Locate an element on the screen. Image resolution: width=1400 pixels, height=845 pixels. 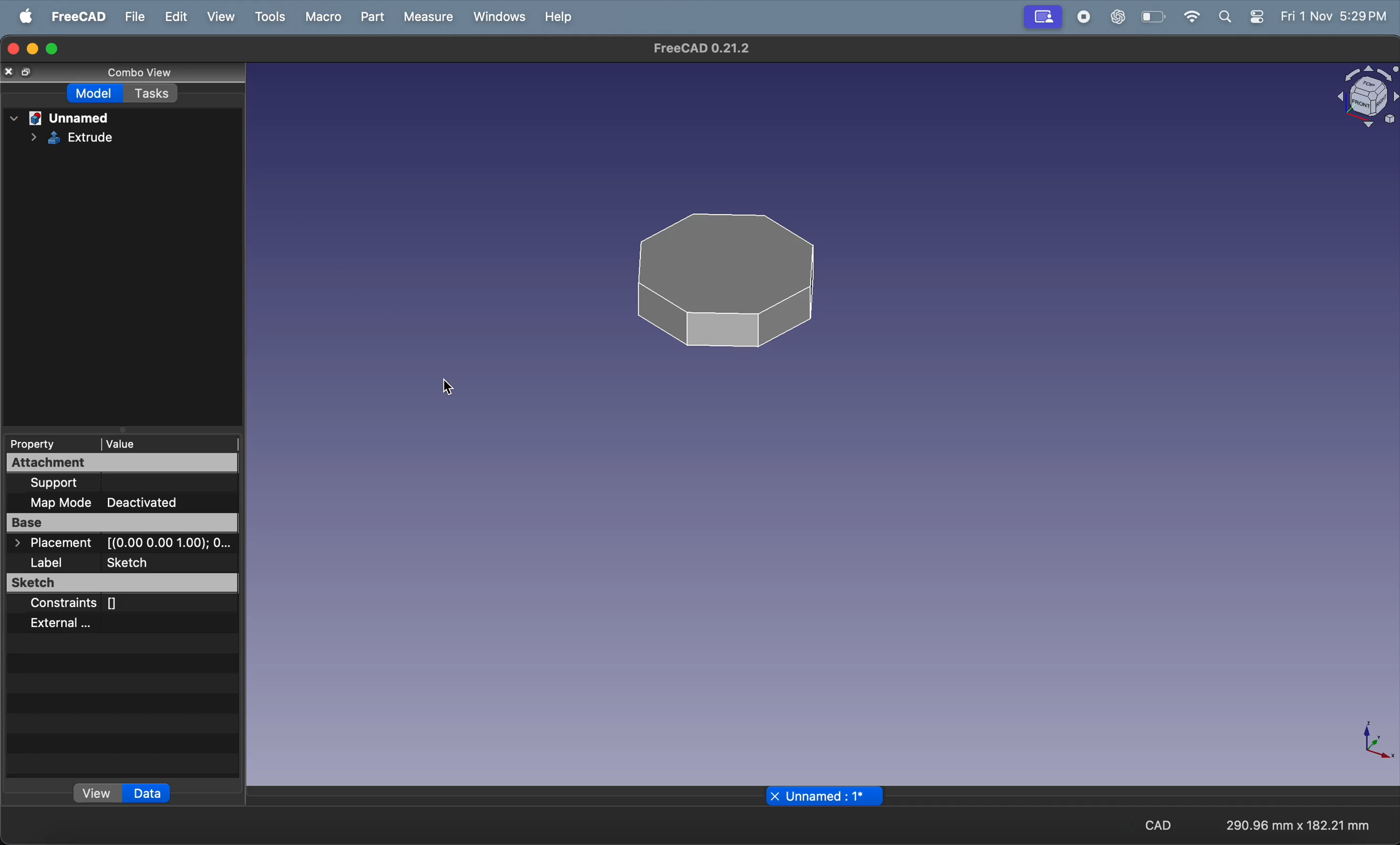
minimize is located at coordinates (34, 51).